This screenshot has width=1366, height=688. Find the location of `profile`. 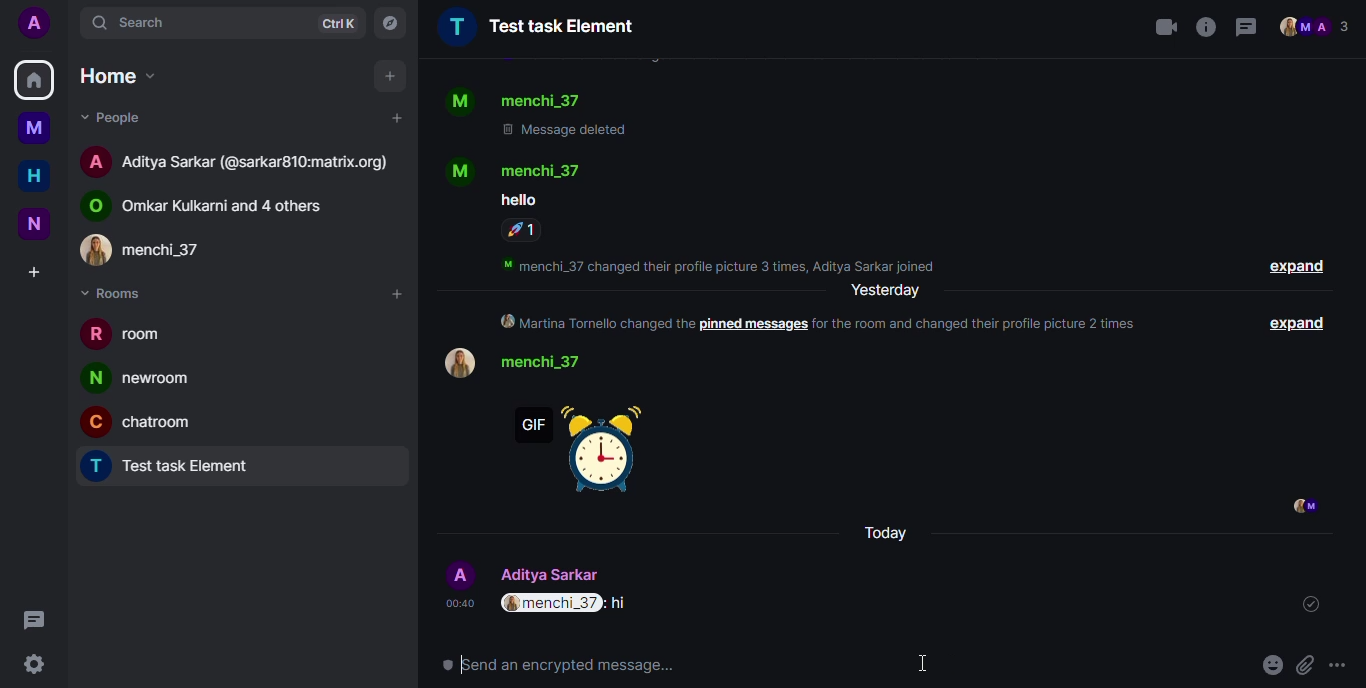

profile is located at coordinates (455, 364).